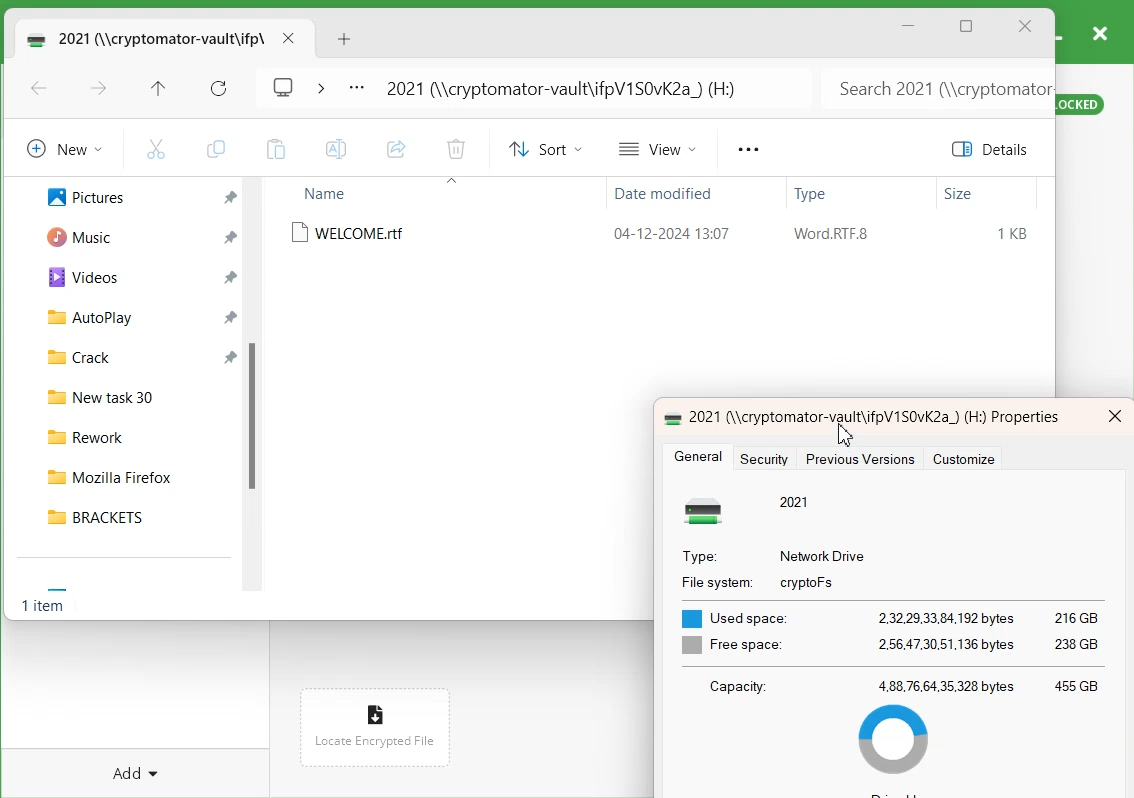  What do you see at coordinates (39, 90) in the screenshot?
I see `Go Back` at bounding box center [39, 90].